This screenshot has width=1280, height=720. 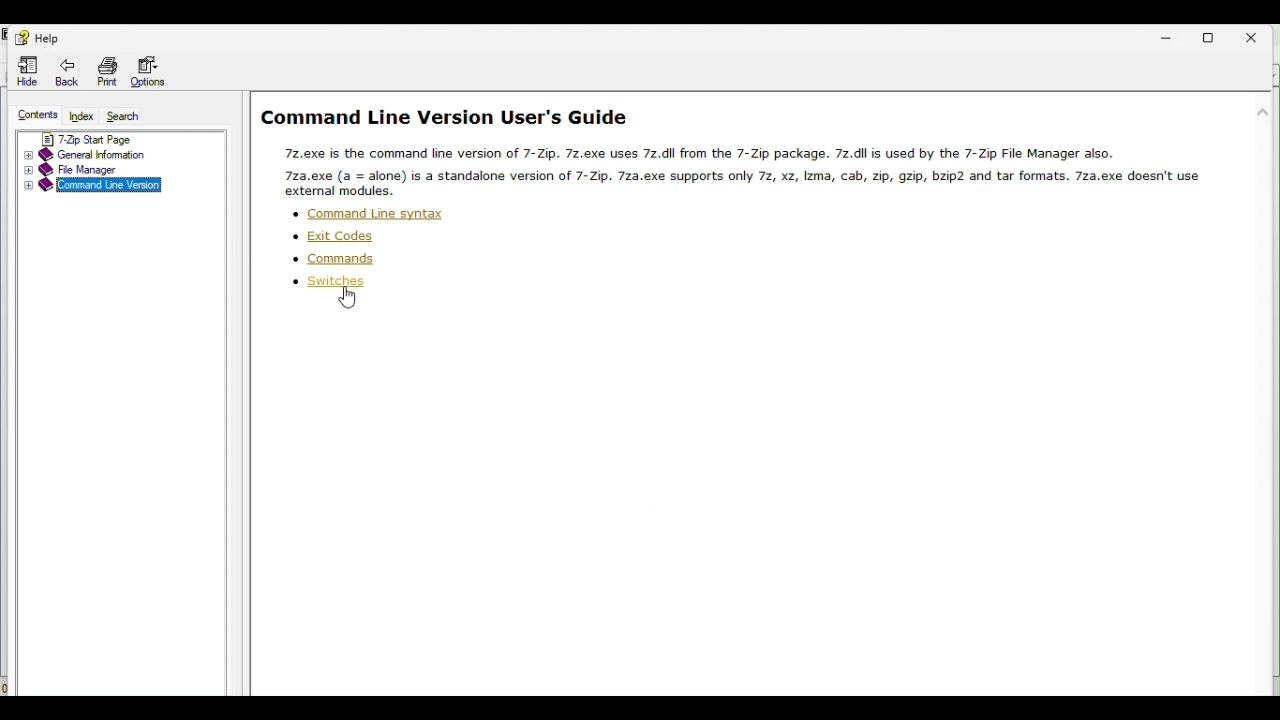 What do you see at coordinates (445, 118) in the screenshot?
I see `command line version user's guide` at bounding box center [445, 118].